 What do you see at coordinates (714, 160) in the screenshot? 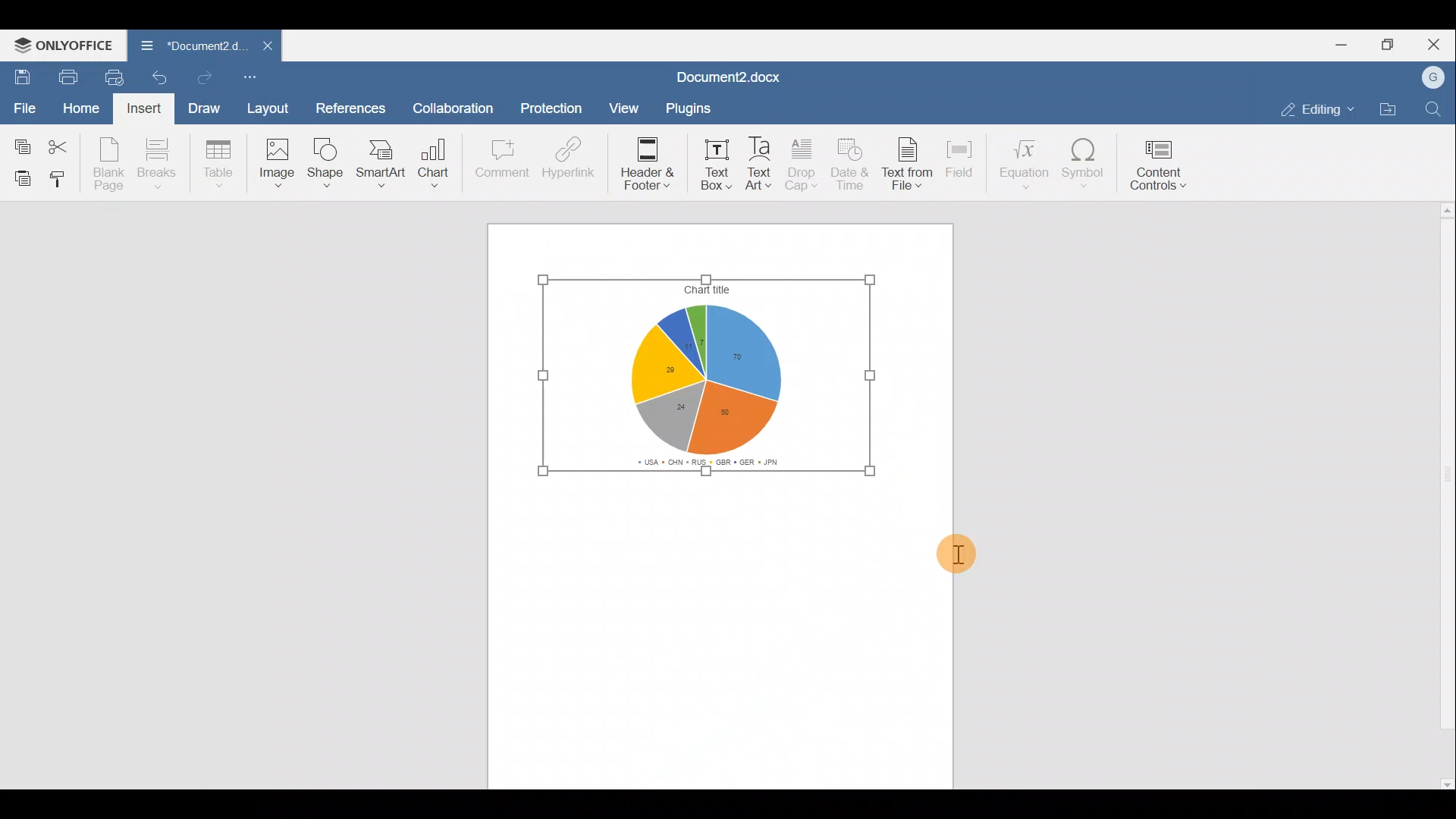
I see `Text box` at bounding box center [714, 160].